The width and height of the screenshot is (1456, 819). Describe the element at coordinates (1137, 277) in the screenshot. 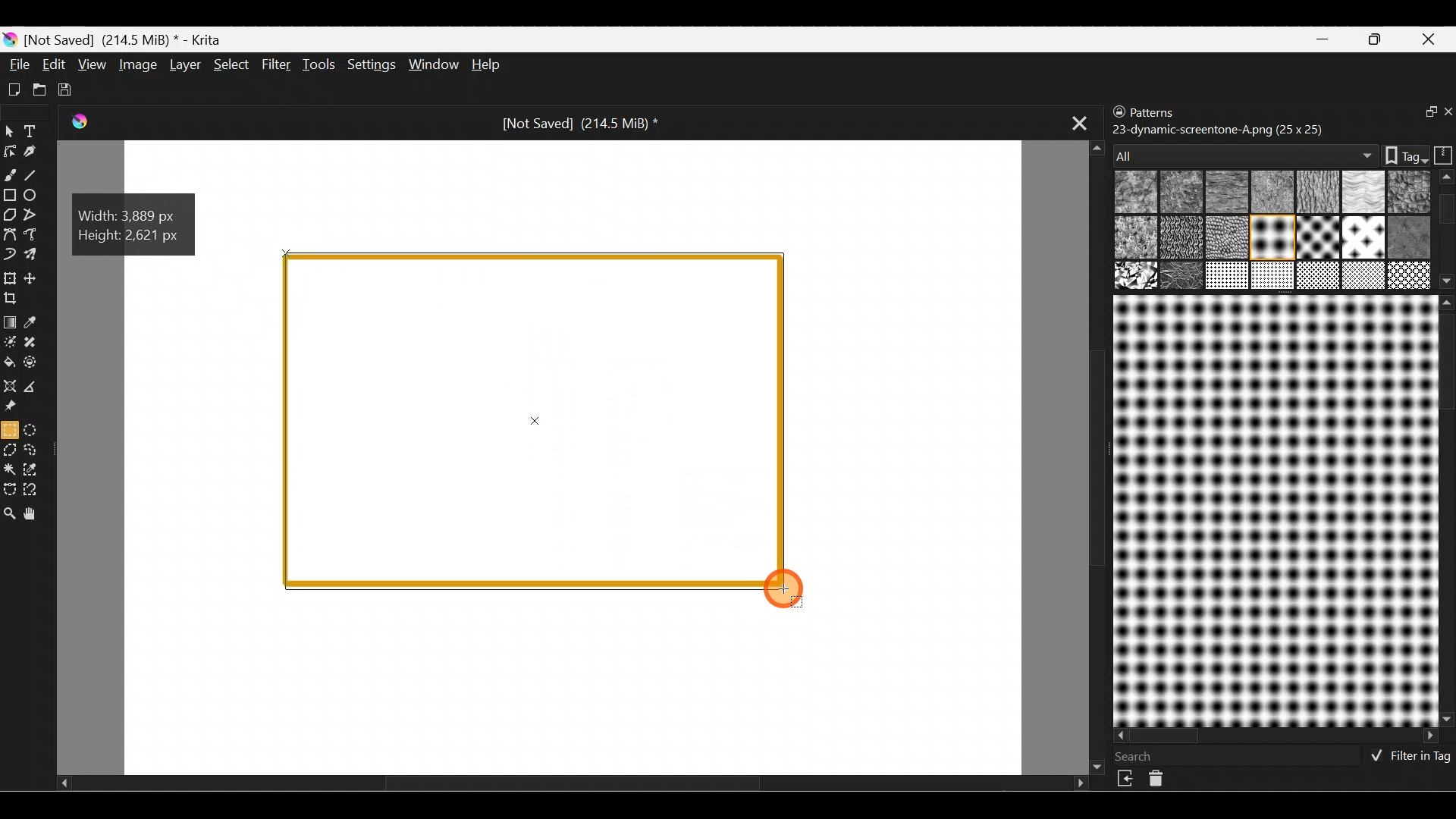

I see `14 Texture_rock.png` at that location.